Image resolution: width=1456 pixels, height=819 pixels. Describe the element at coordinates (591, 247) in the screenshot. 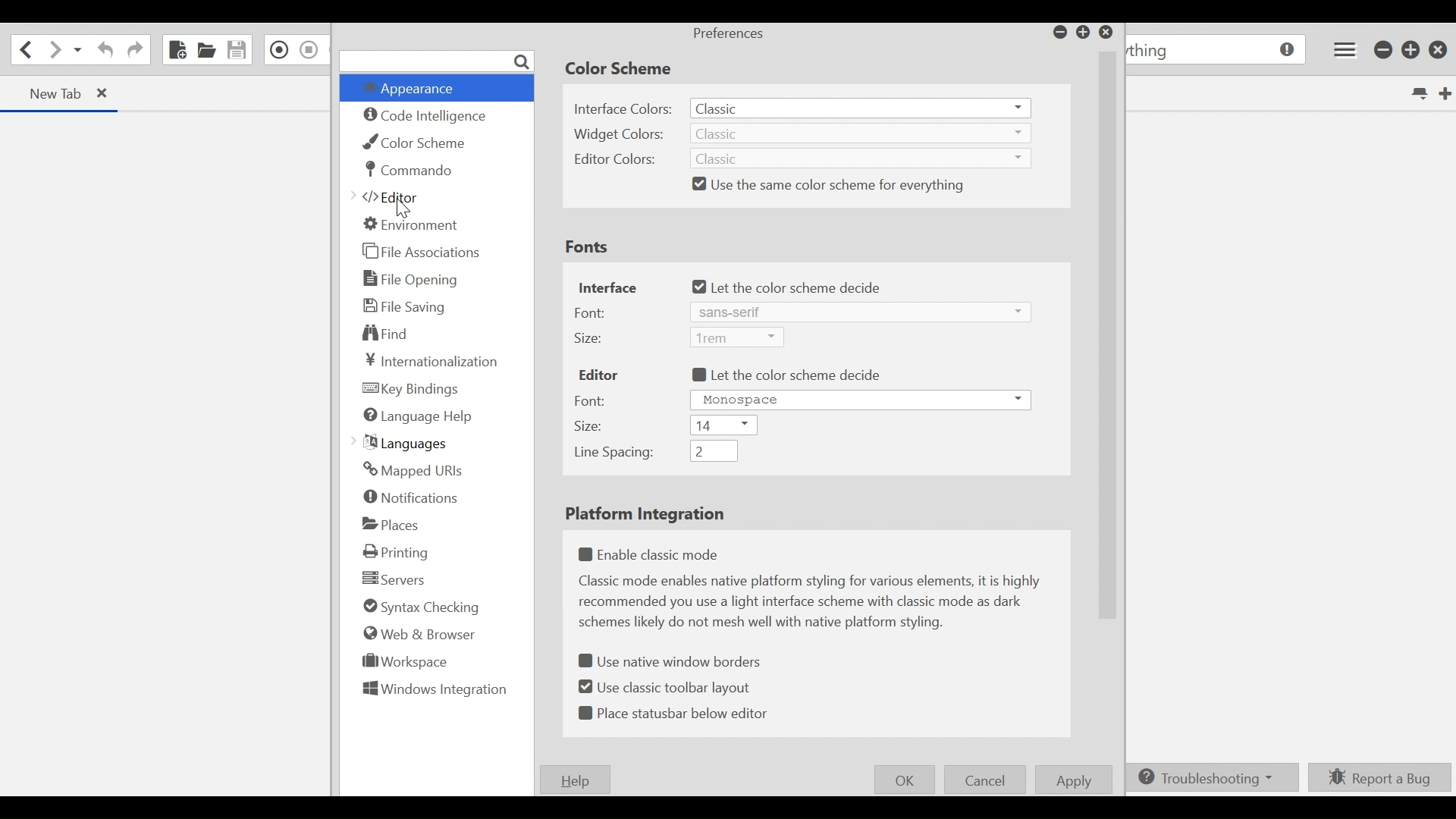

I see `Fonts` at that location.